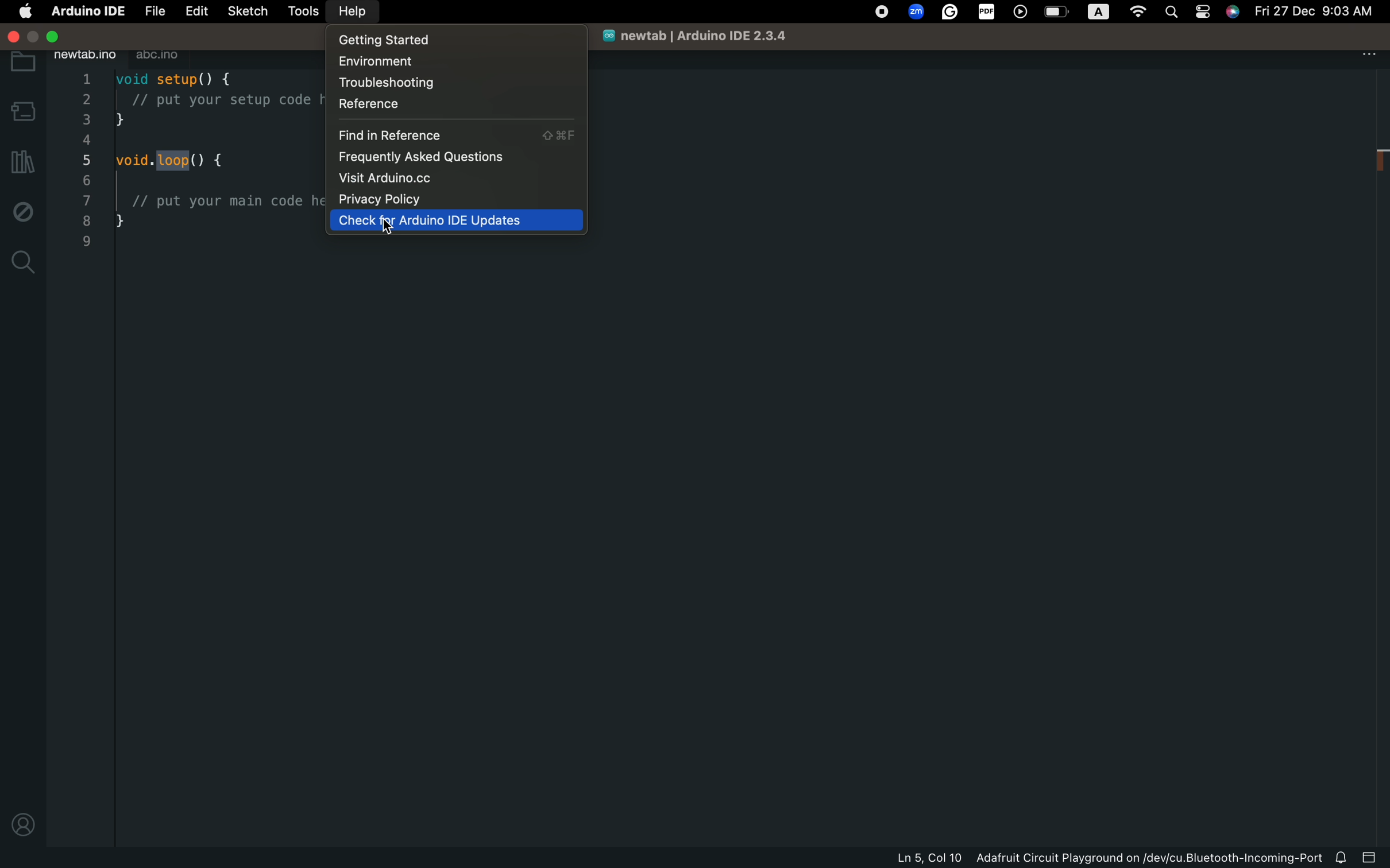 The height and width of the screenshot is (868, 1390). I want to click on PDF, so click(983, 10).